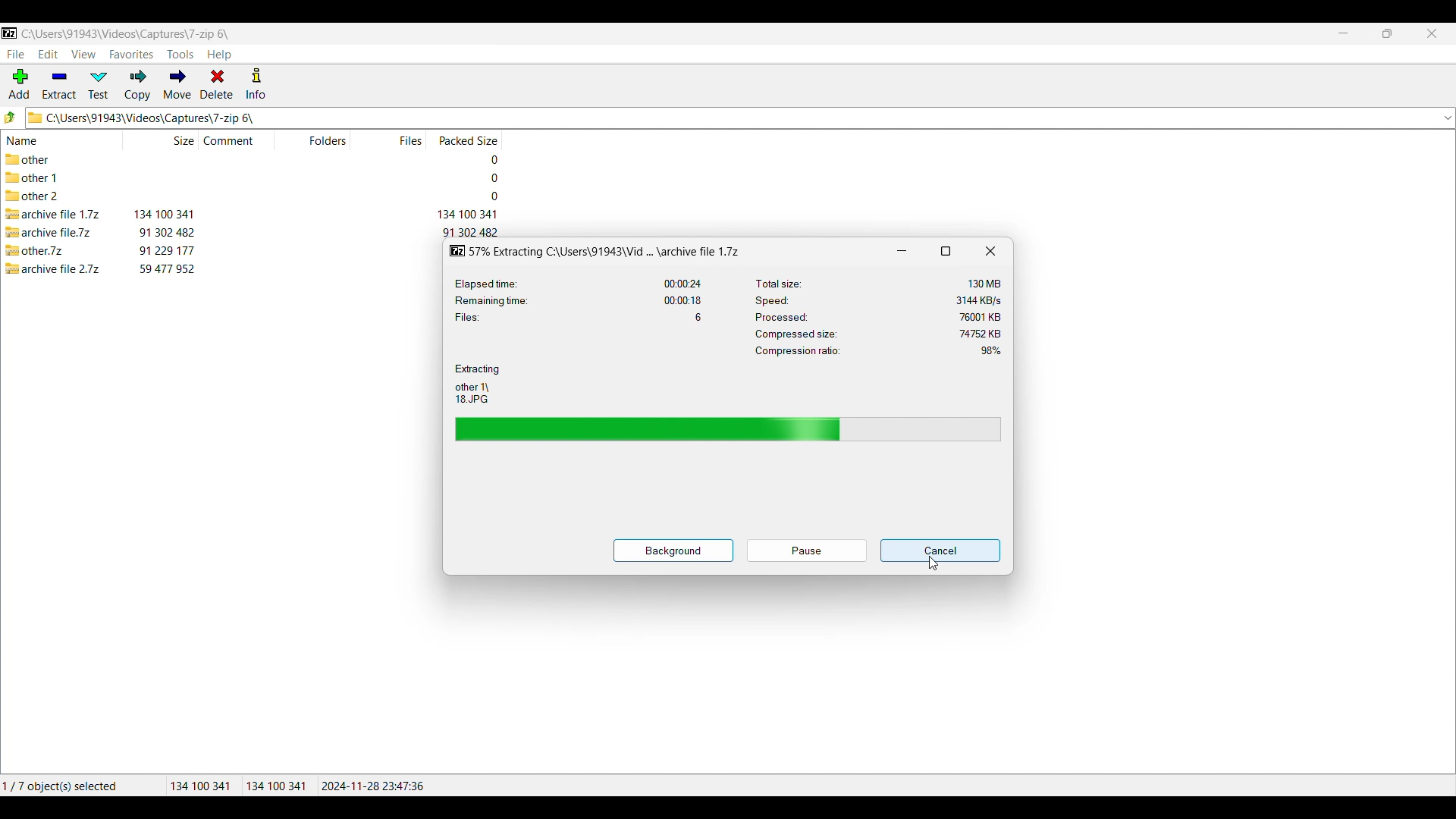  Describe the element at coordinates (326, 140) in the screenshot. I see `Folders column` at that location.